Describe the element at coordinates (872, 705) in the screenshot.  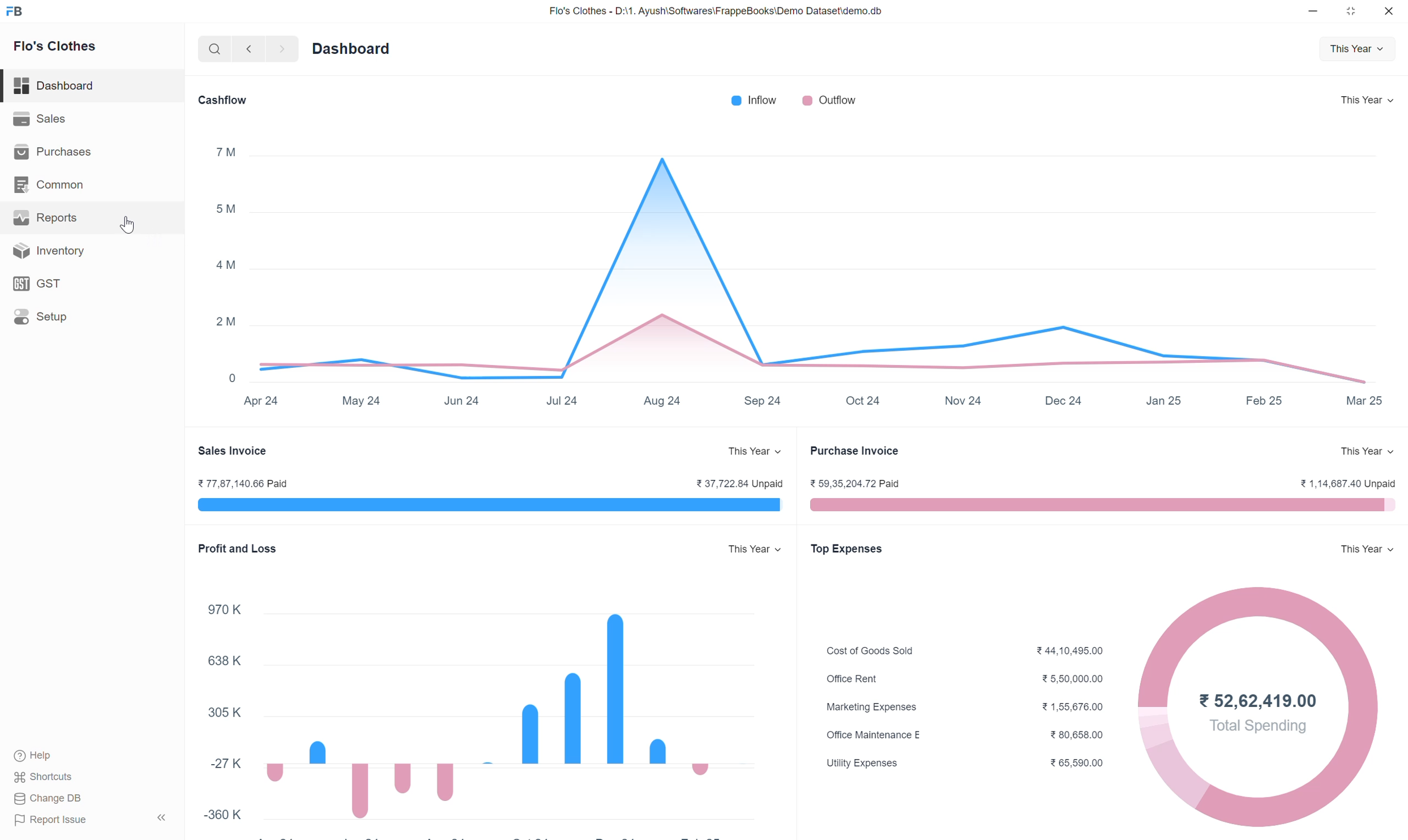
I see `Marketing Expenses` at that location.